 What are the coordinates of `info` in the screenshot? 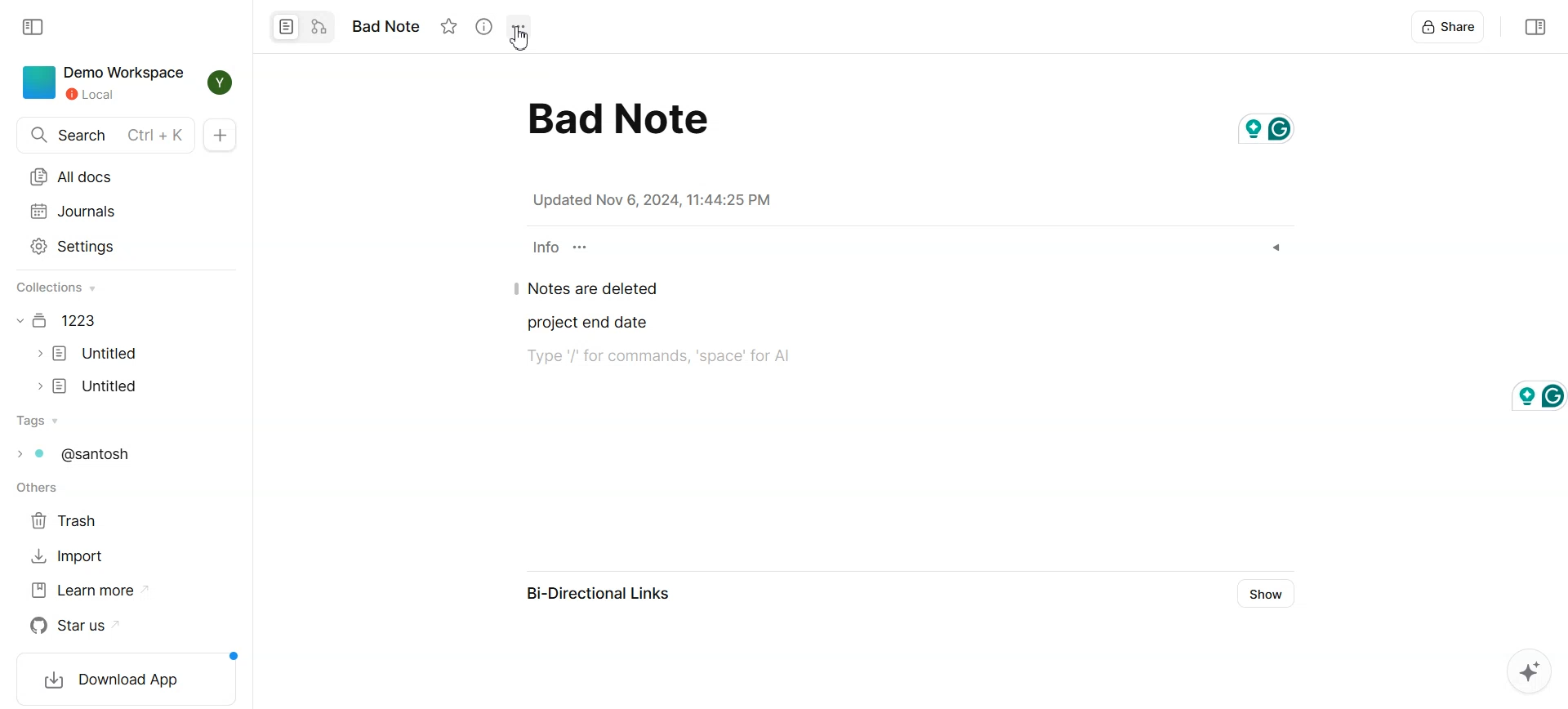 It's located at (544, 247).